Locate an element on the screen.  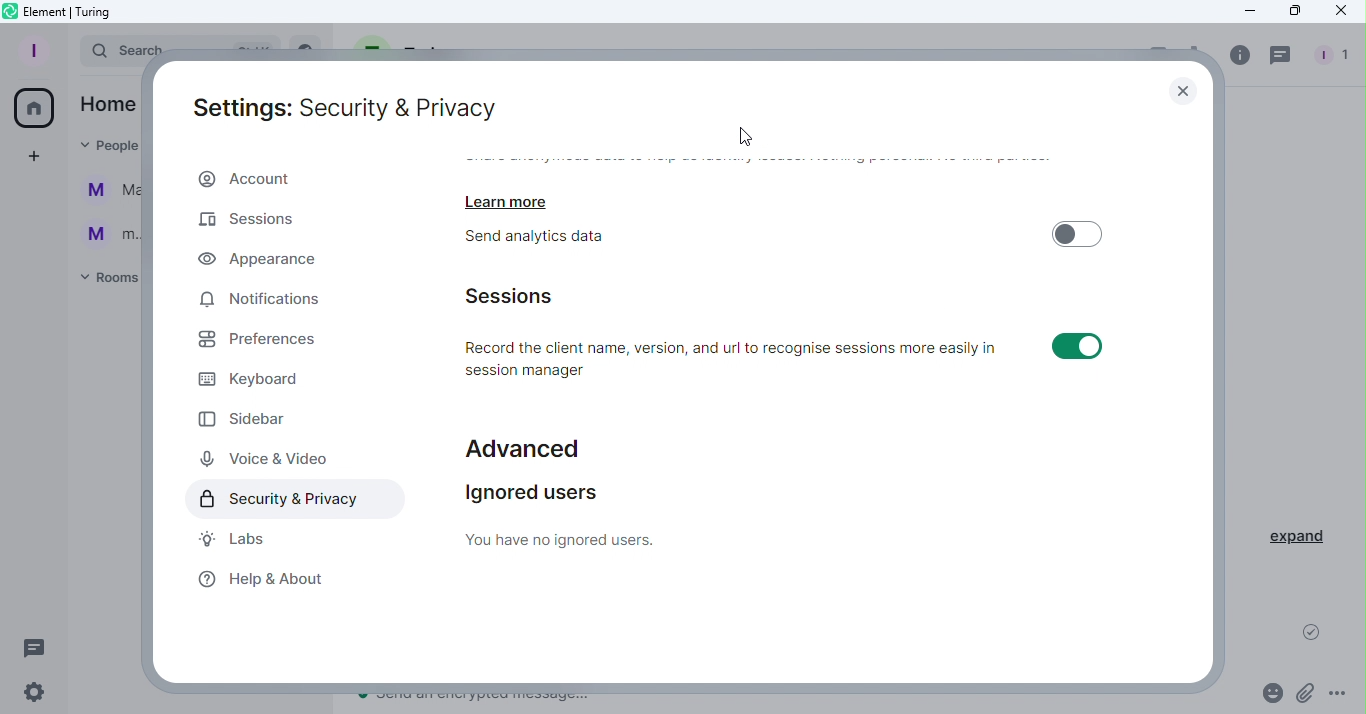
Sessions is located at coordinates (250, 222).